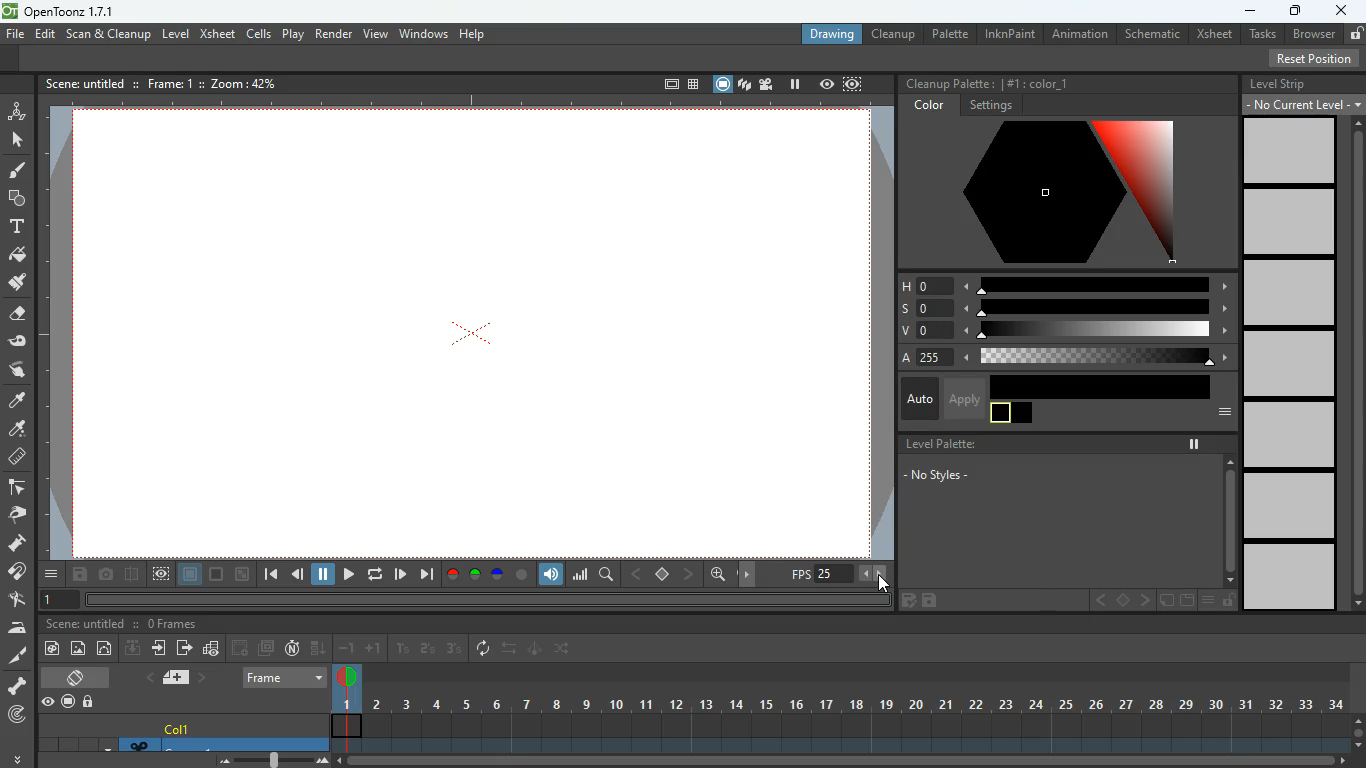 This screenshot has width=1366, height=768. What do you see at coordinates (16, 111) in the screenshot?
I see `animate` at bounding box center [16, 111].